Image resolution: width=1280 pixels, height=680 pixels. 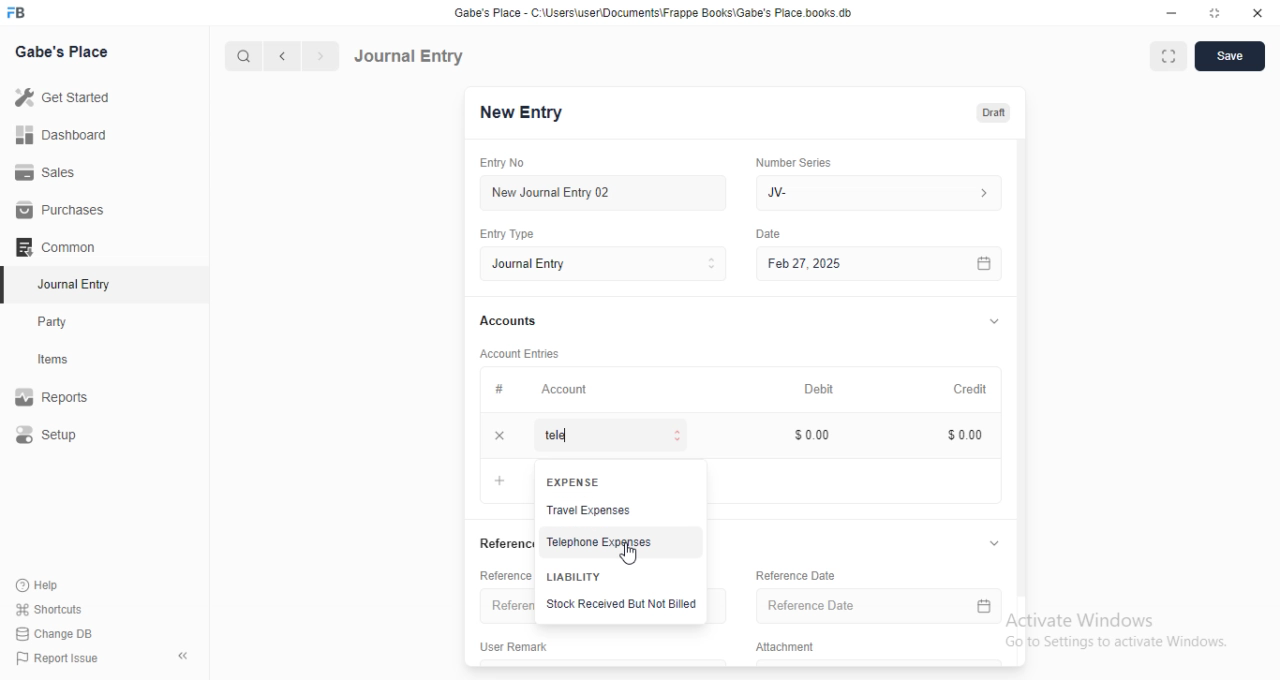 I want to click on FB, so click(x=19, y=11).